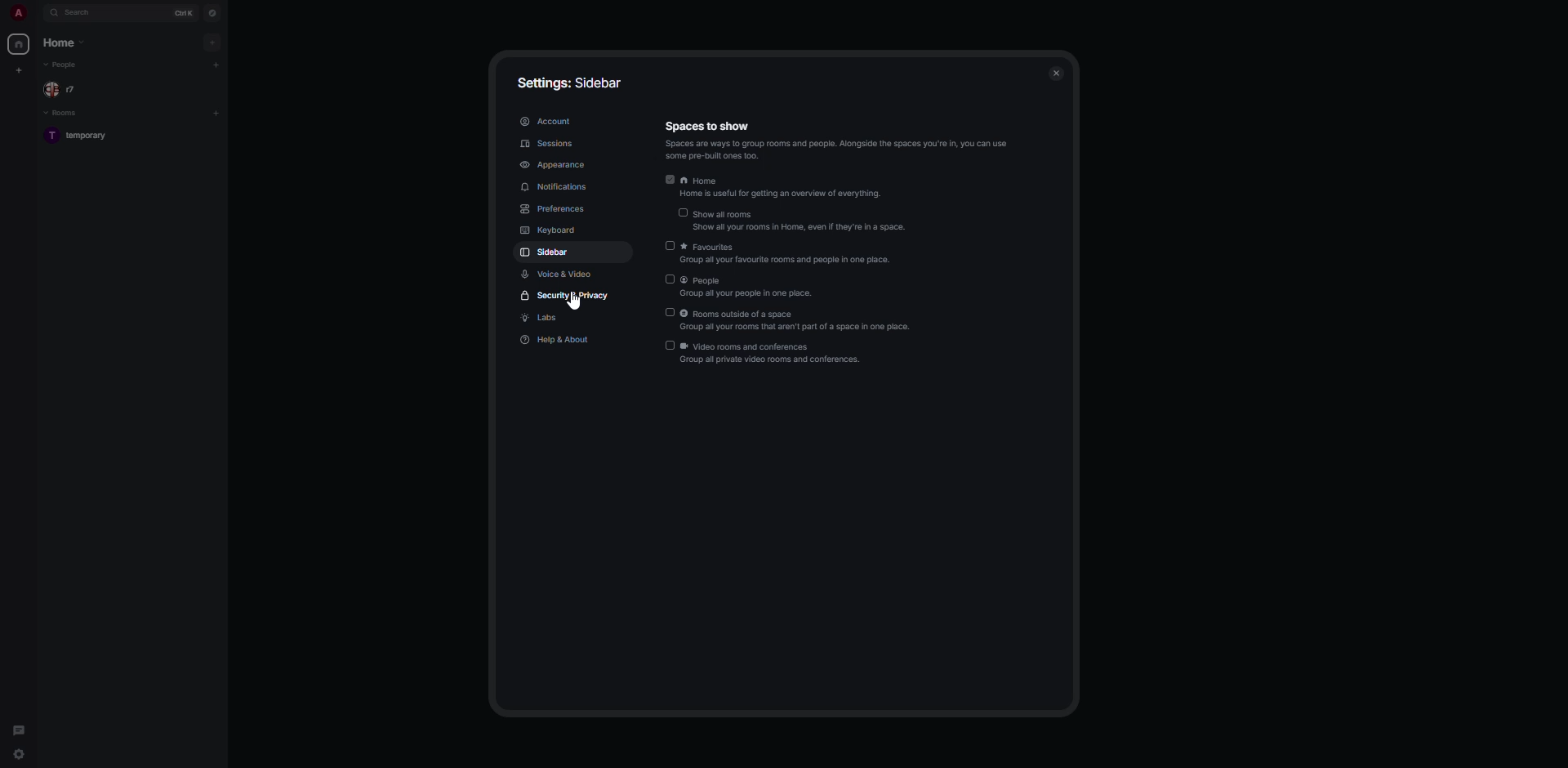  What do you see at coordinates (18, 46) in the screenshot?
I see `home` at bounding box center [18, 46].